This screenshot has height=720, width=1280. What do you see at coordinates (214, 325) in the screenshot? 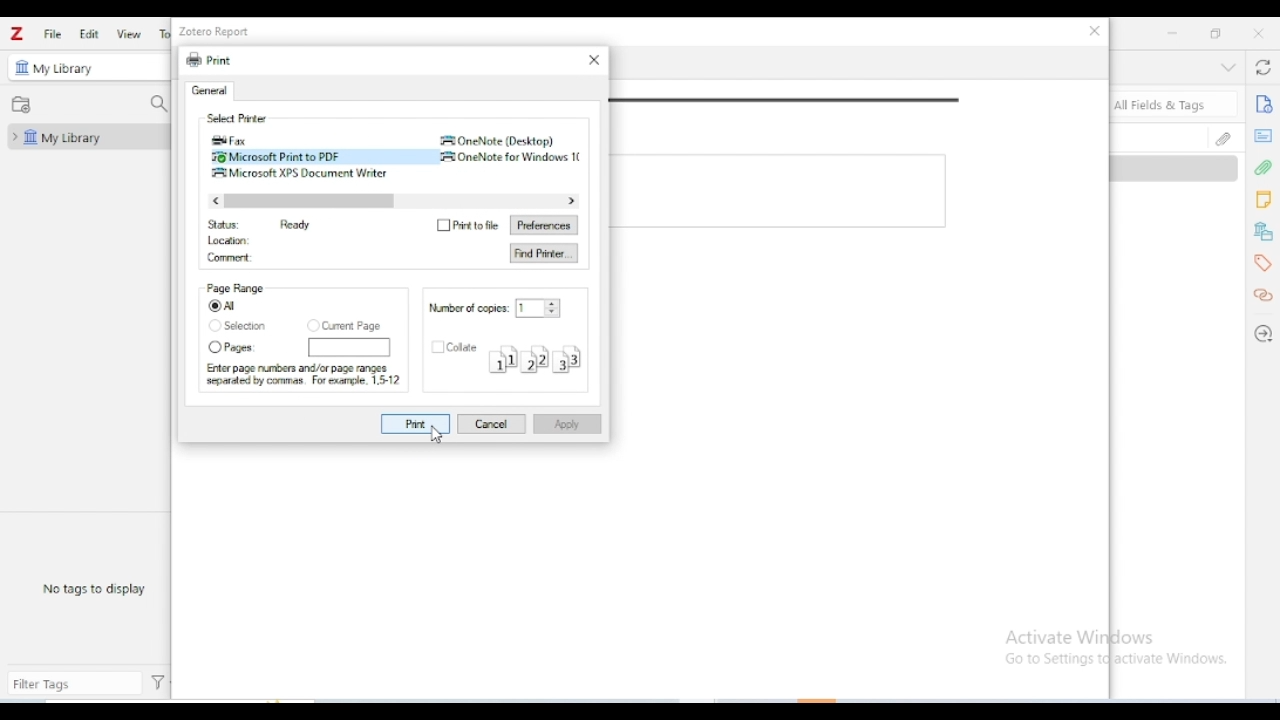
I see `Checkbox` at bounding box center [214, 325].